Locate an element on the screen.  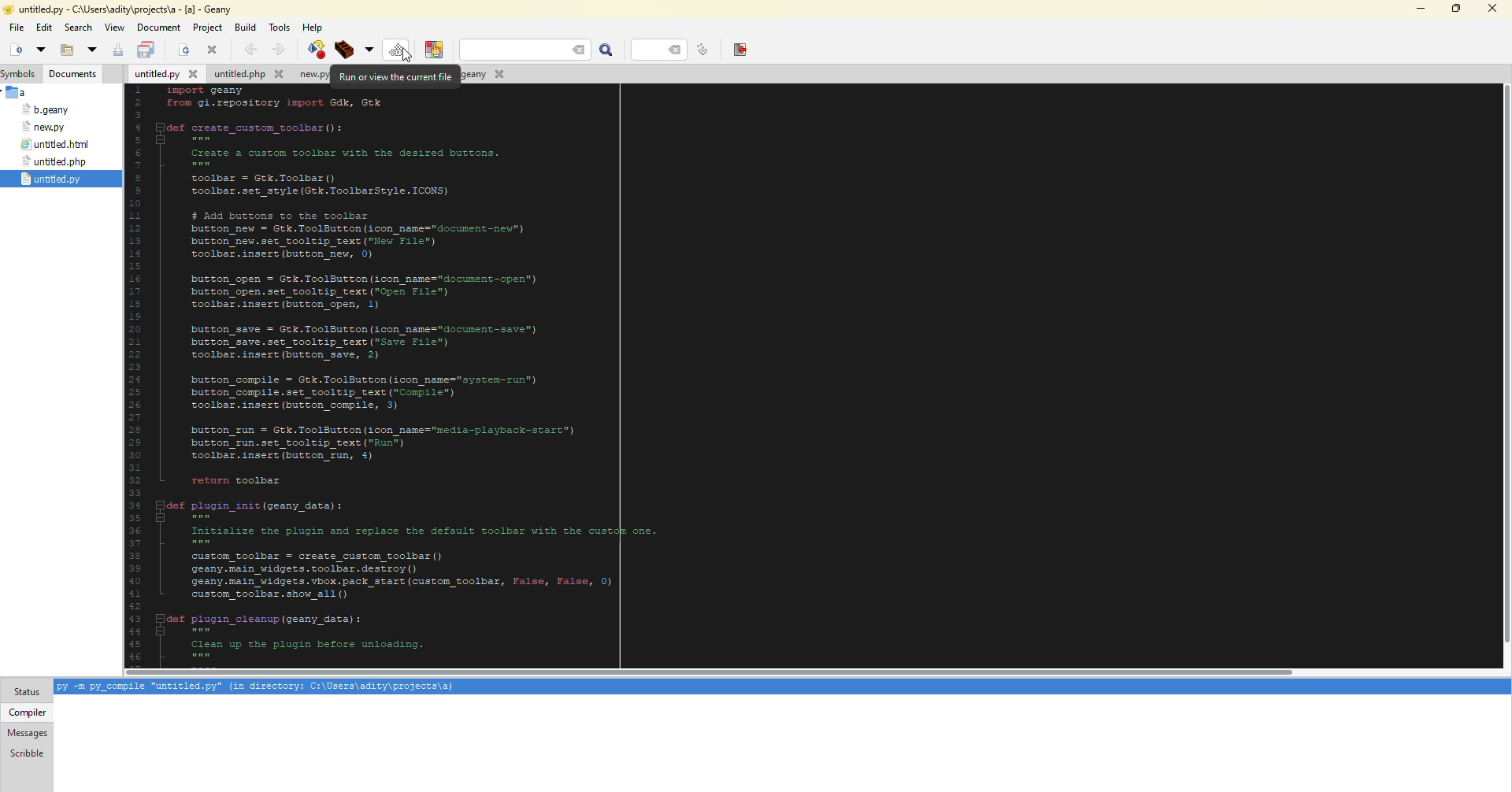
back is located at coordinates (249, 49).